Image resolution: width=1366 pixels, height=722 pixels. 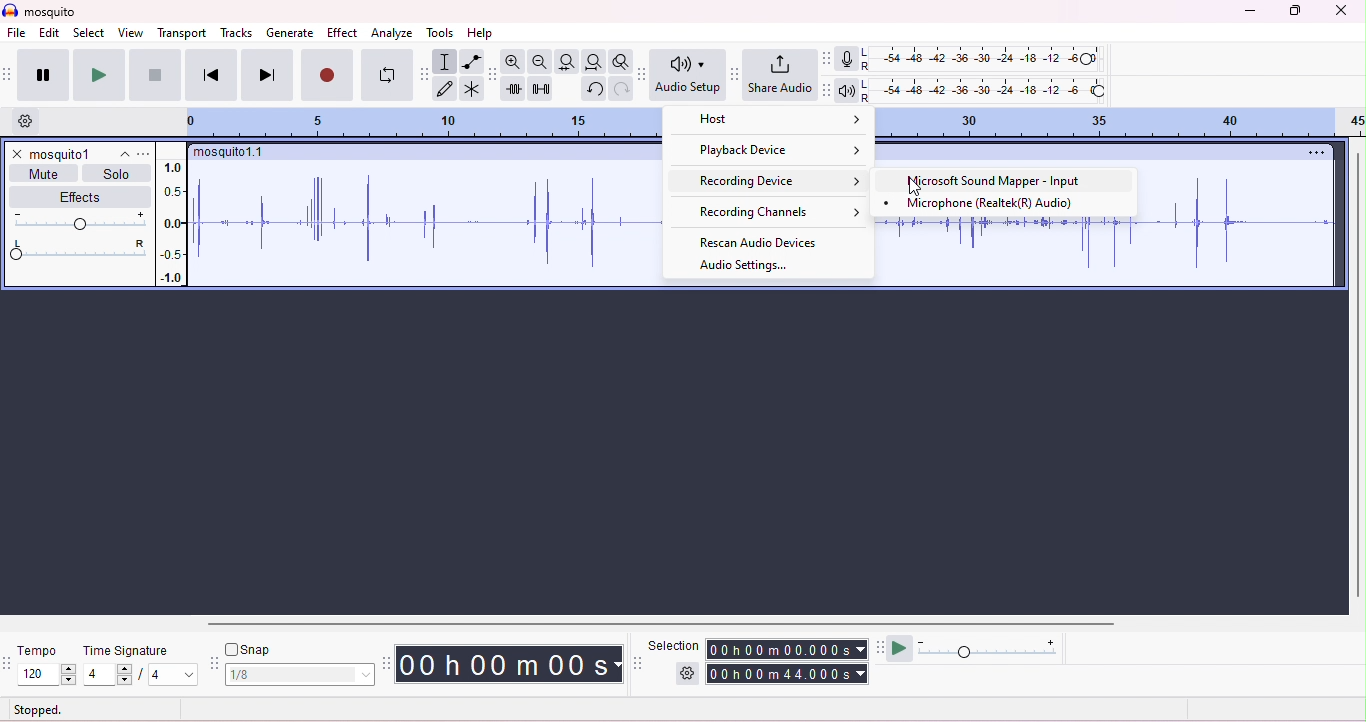 What do you see at coordinates (620, 88) in the screenshot?
I see `redo` at bounding box center [620, 88].